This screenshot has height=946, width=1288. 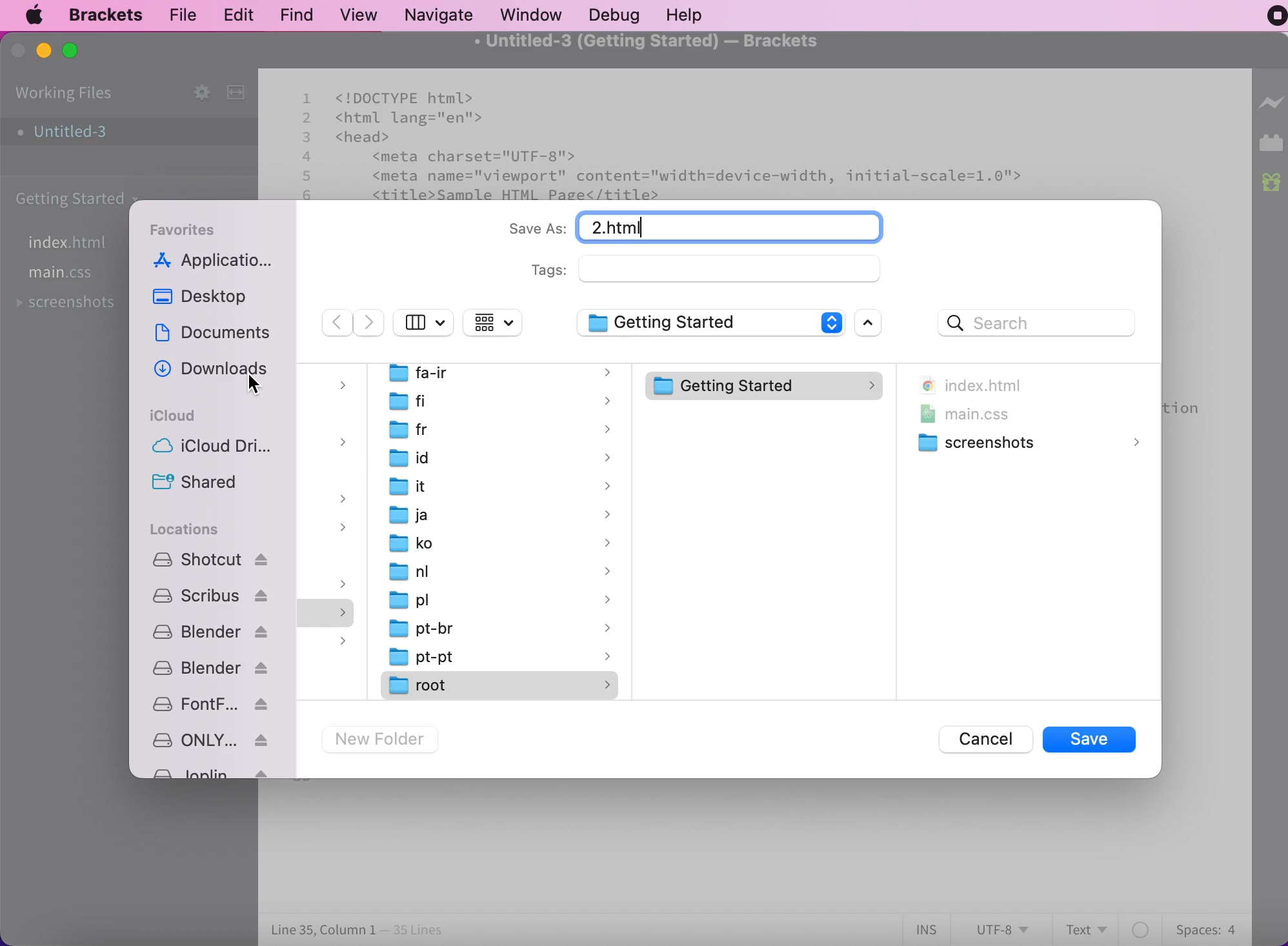 I want to click on ins, so click(x=930, y=929).